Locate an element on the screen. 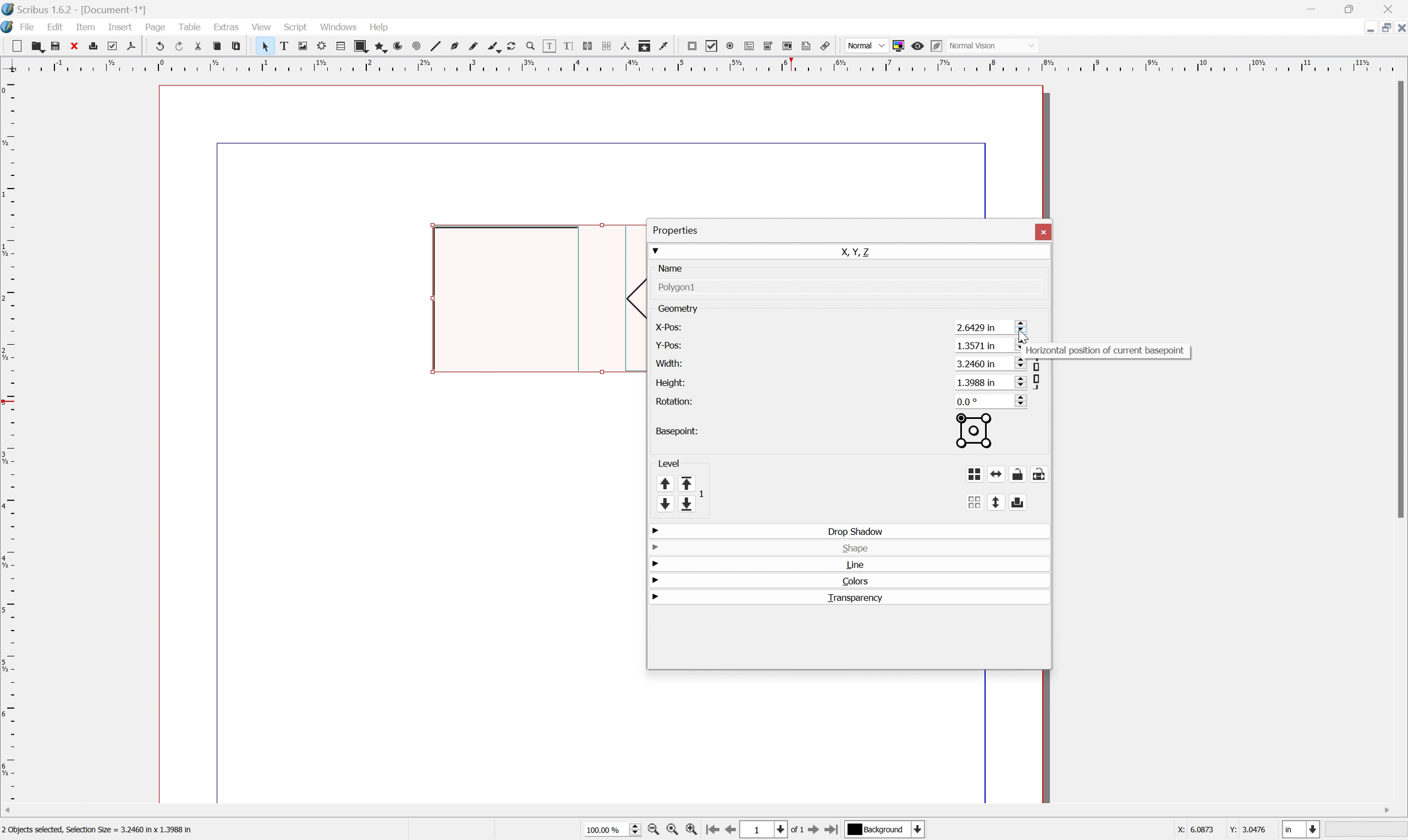 The width and height of the screenshot is (1408, 840). item is located at coordinates (87, 27).